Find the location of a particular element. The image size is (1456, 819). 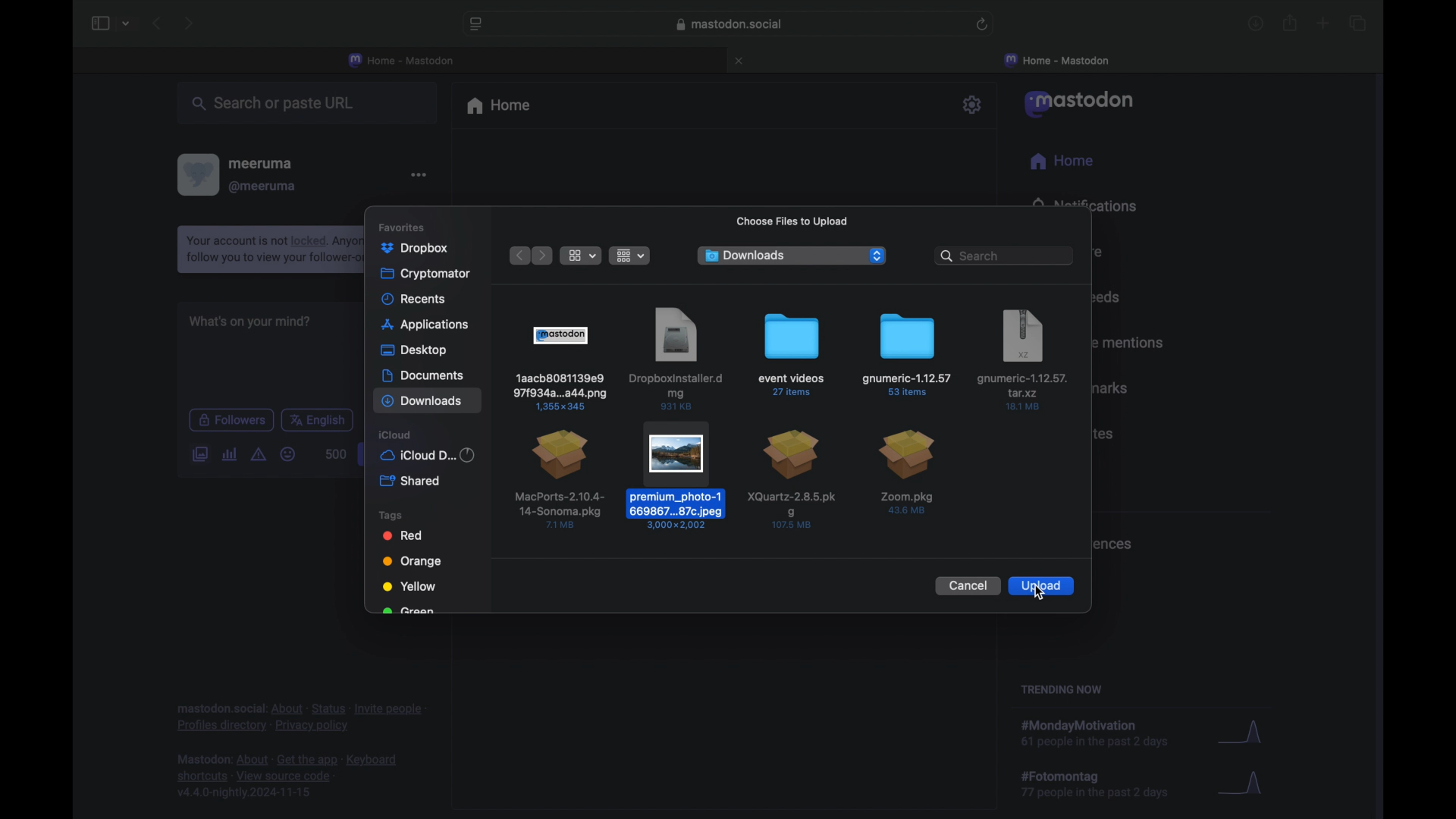

add  poll is located at coordinates (229, 455).